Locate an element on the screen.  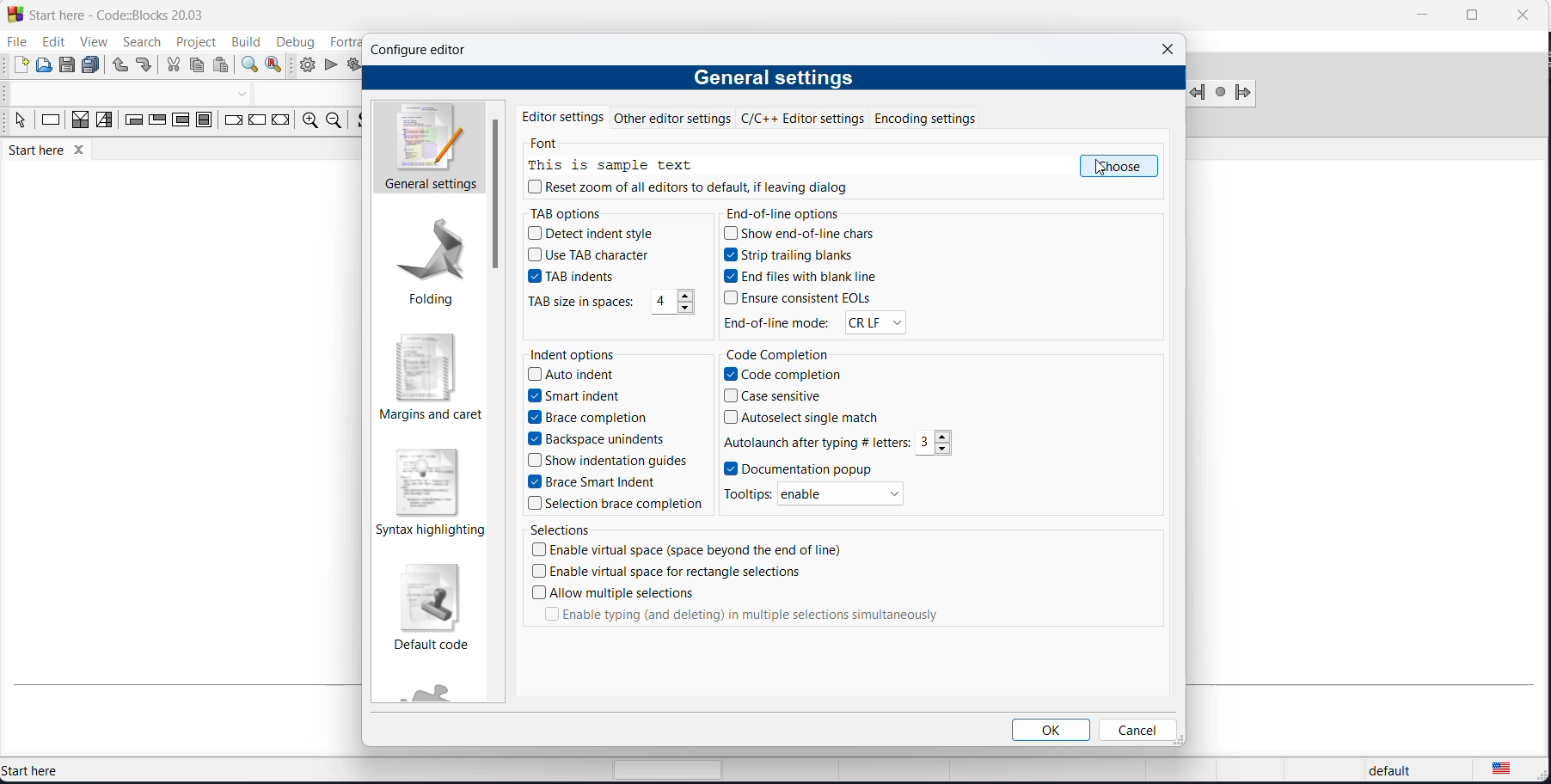
selections is located at coordinates (566, 530).